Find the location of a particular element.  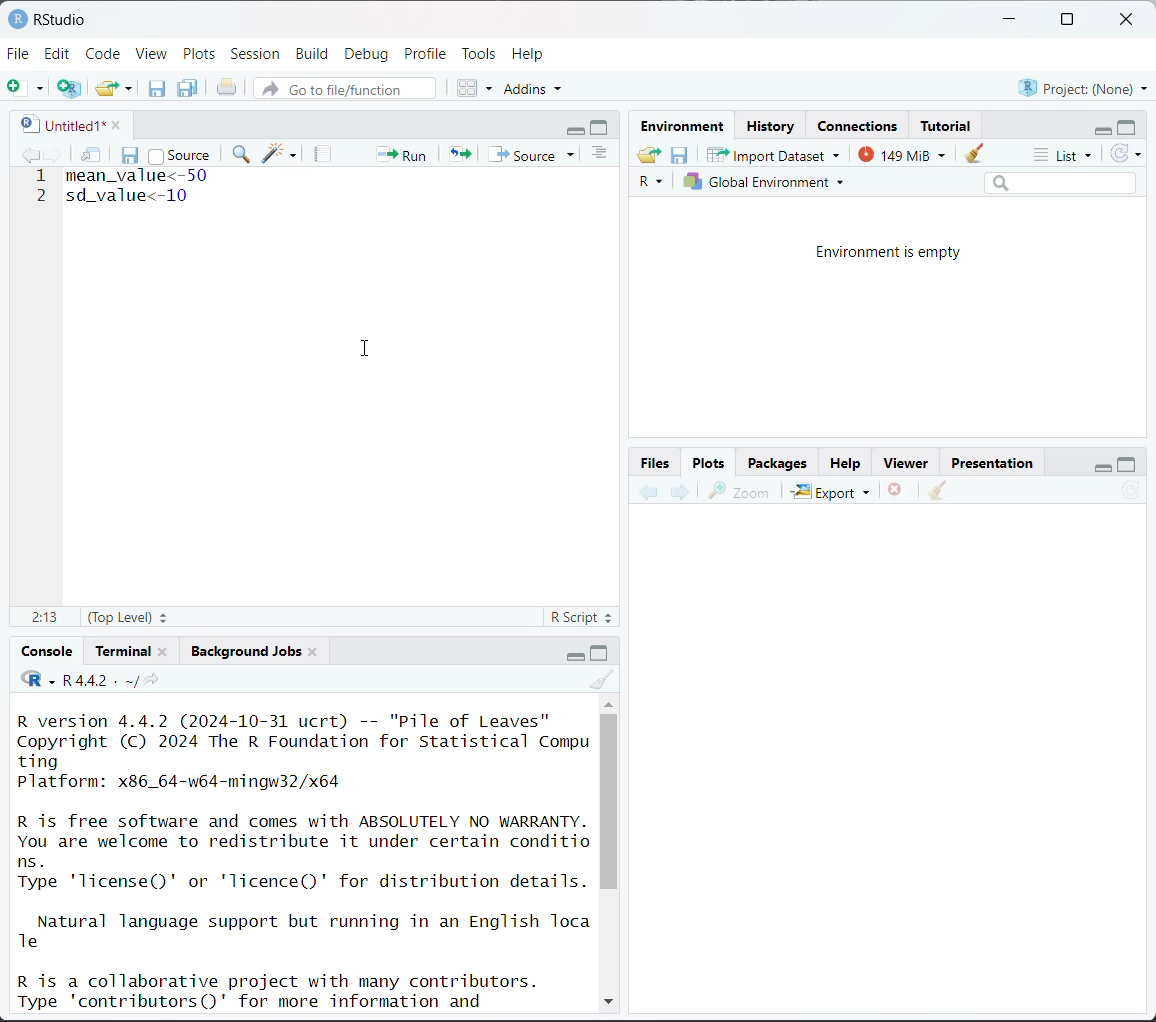

Edit is located at coordinates (60, 53).